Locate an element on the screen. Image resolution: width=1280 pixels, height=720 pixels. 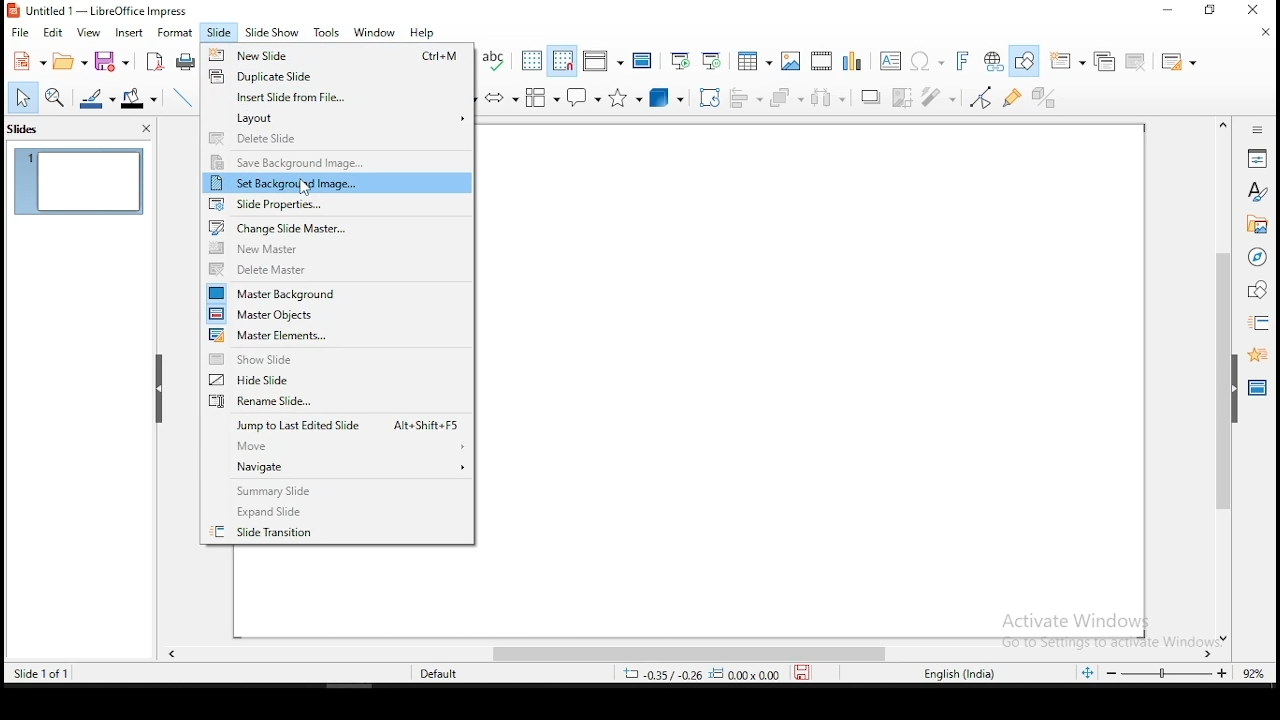
master objects is located at coordinates (336, 314).